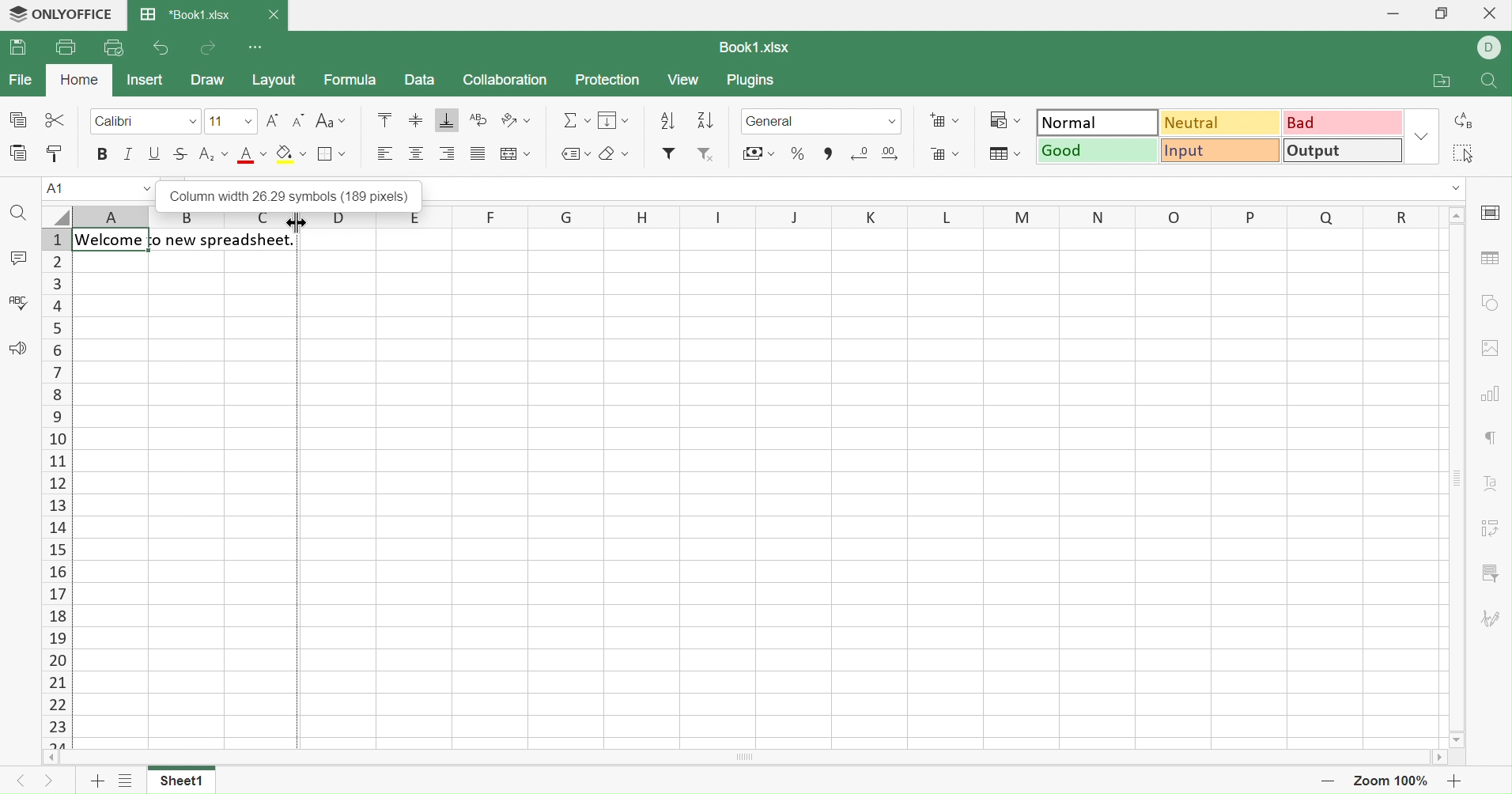  What do you see at coordinates (505, 80) in the screenshot?
I see `Collection` at bounding box center [505, 80].